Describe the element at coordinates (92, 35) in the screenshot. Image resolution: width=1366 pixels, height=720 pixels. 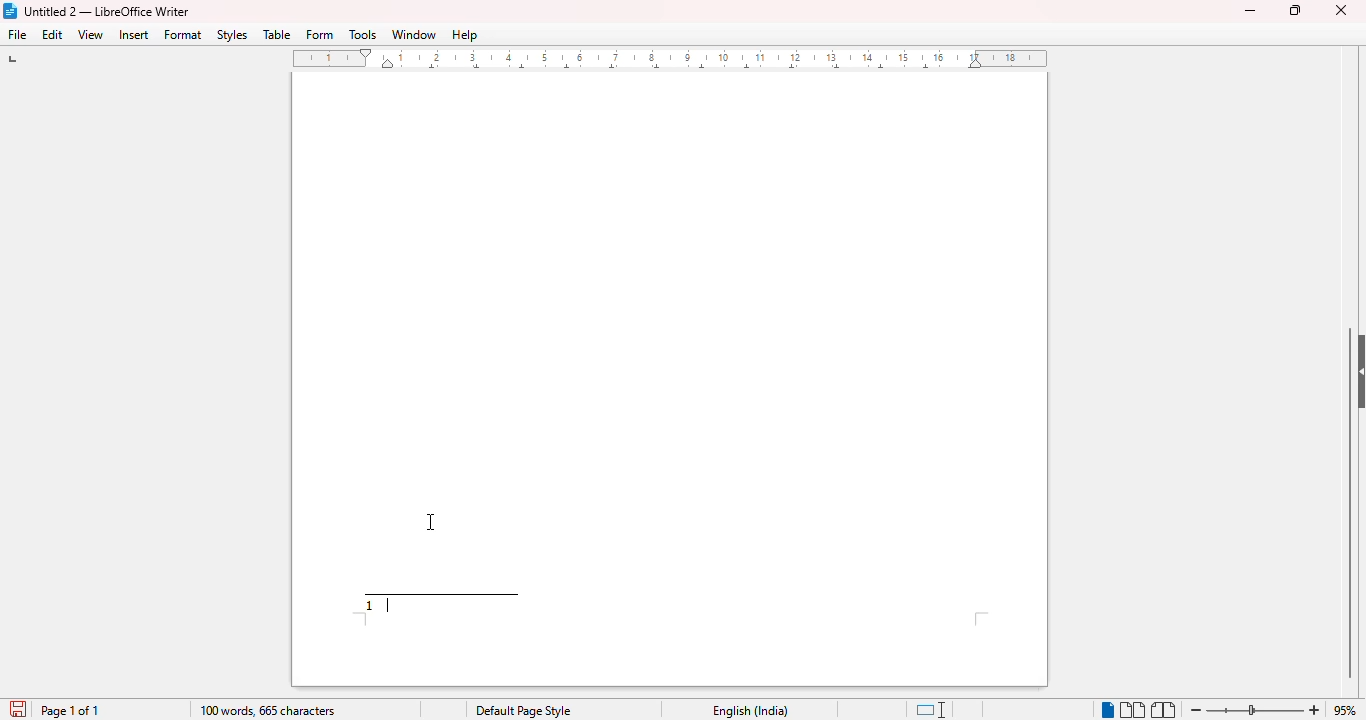
I see `view` at that location.